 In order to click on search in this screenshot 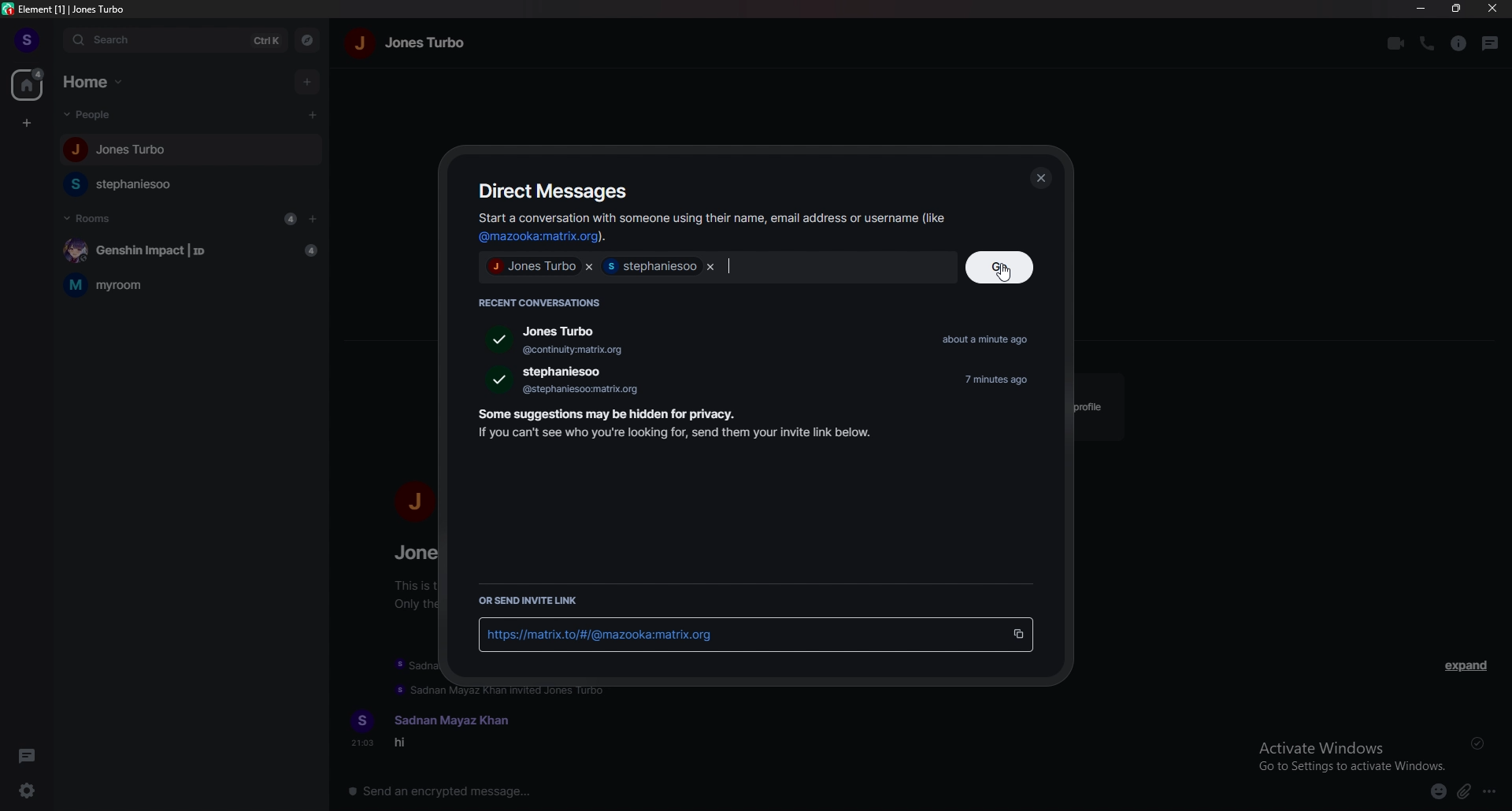, I will do `click(150, 40)`.